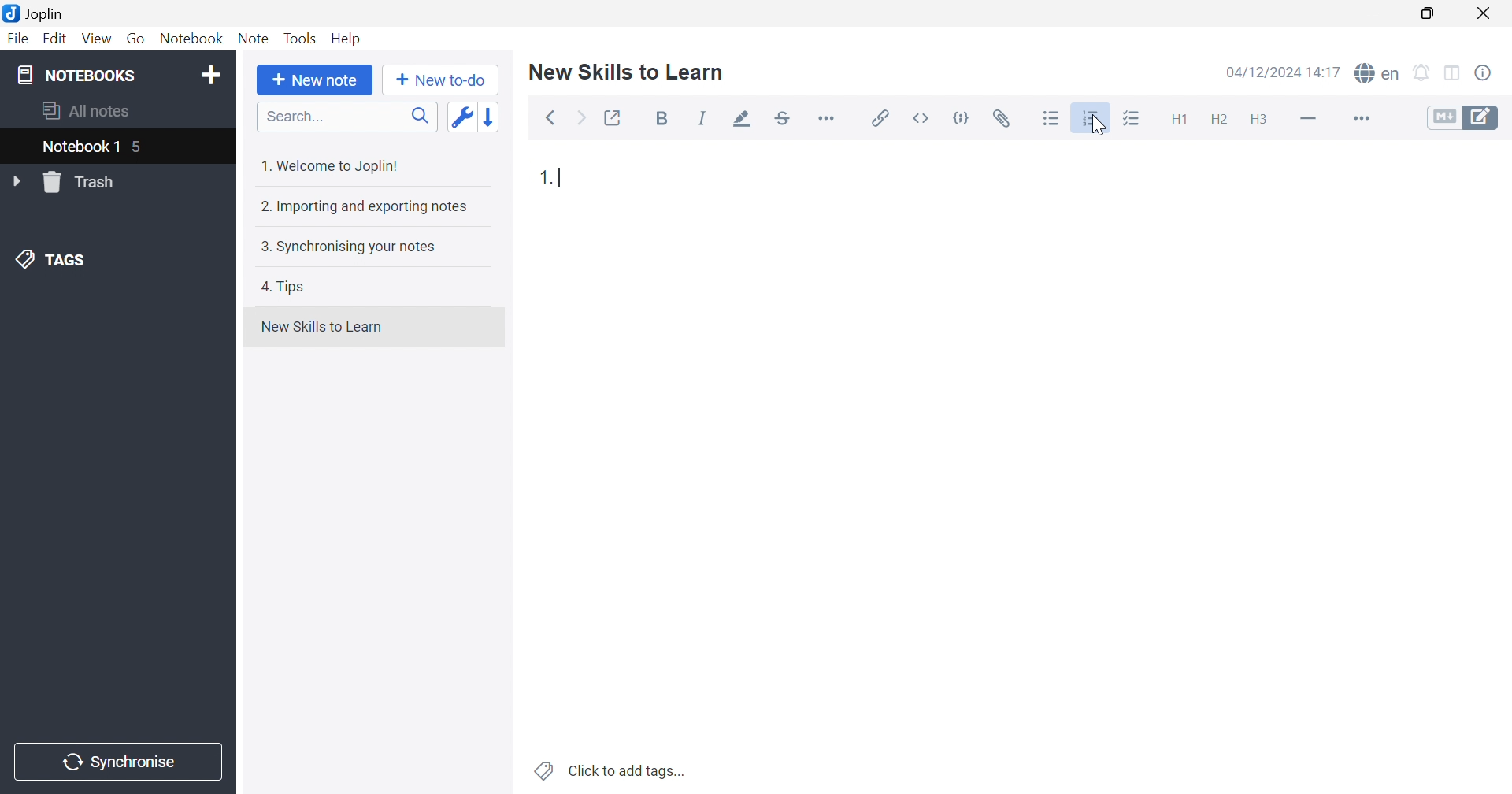  What do you see at coordinates (738, 121) in the screenshot?
I see `Highlight` at bounding box center [738, 121].